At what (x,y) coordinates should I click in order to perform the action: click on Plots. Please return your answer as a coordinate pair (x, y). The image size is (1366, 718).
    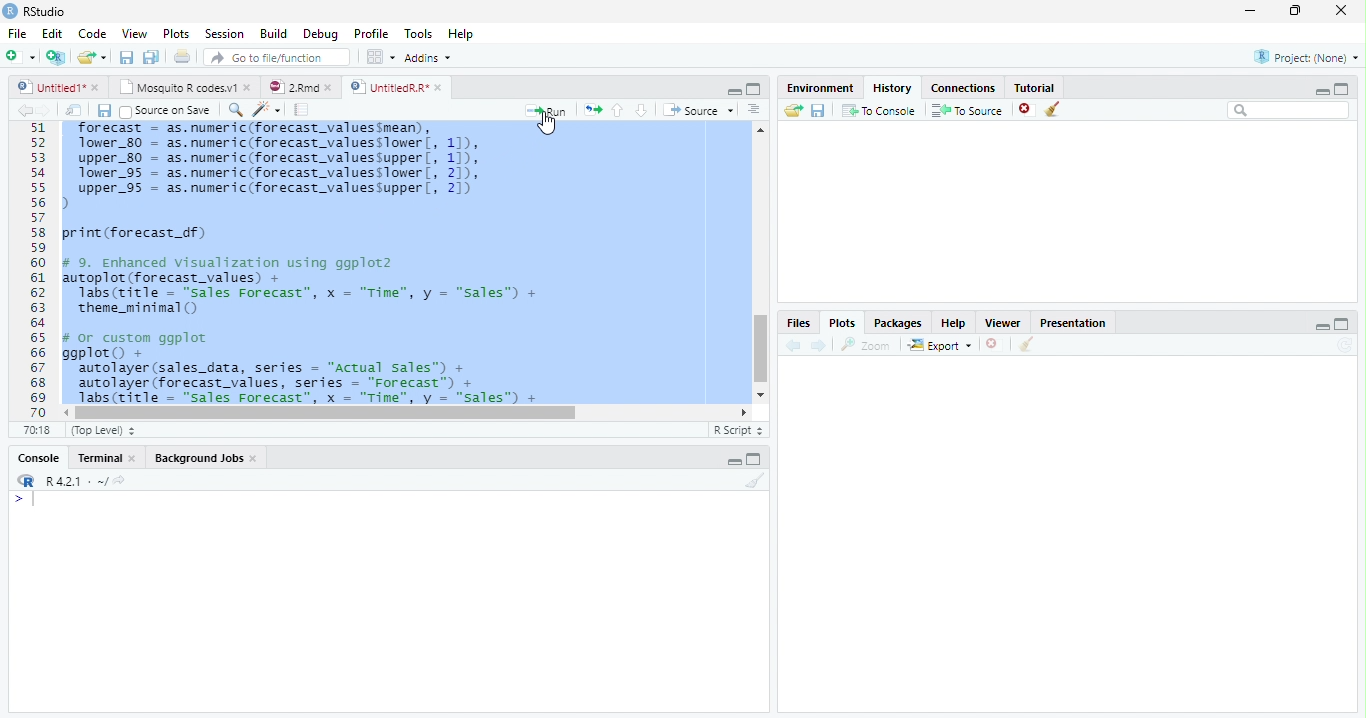
    Looking at the image, I should click on (843, 323).